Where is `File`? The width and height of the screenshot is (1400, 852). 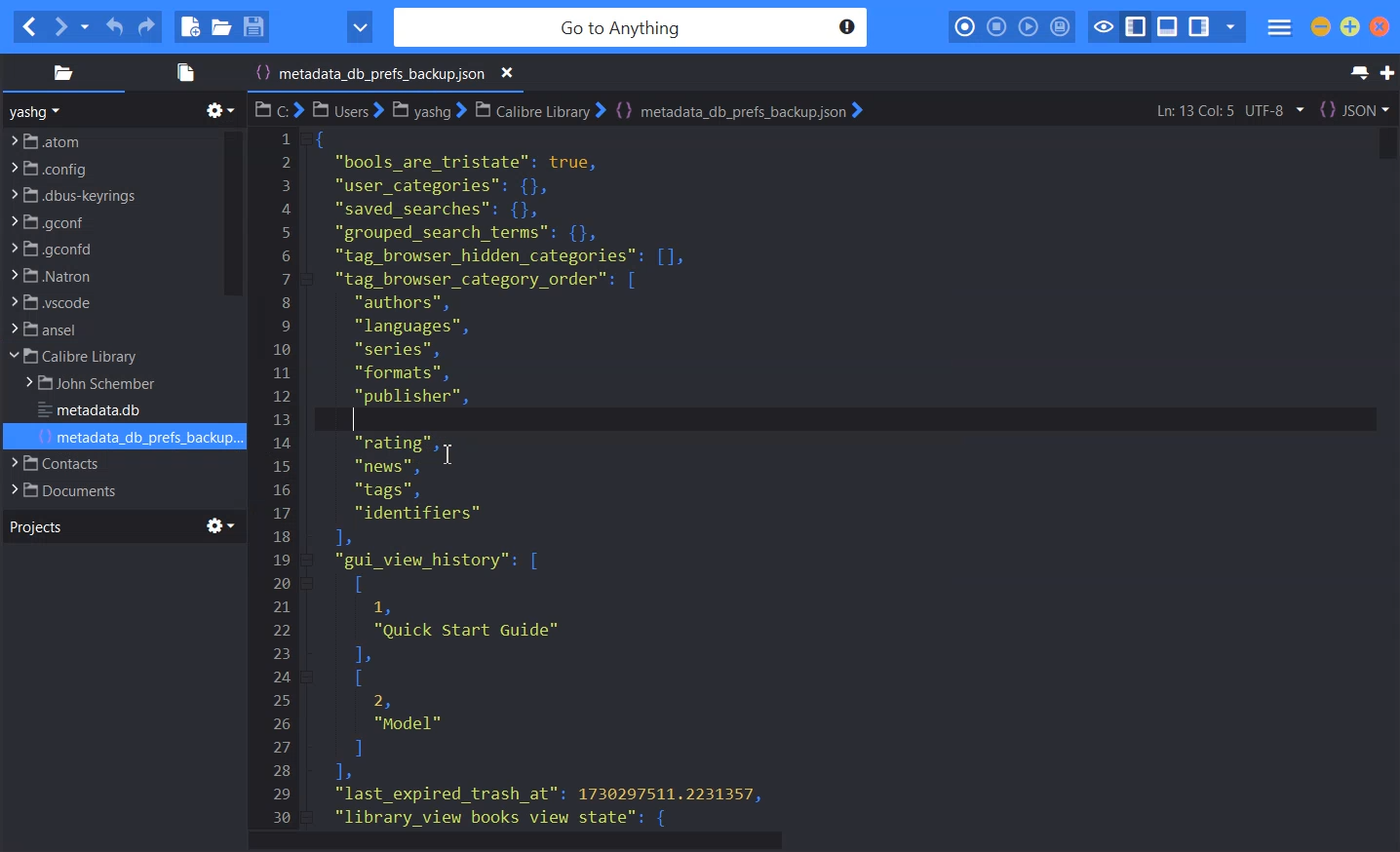 File is located at coordinates (108, 357).